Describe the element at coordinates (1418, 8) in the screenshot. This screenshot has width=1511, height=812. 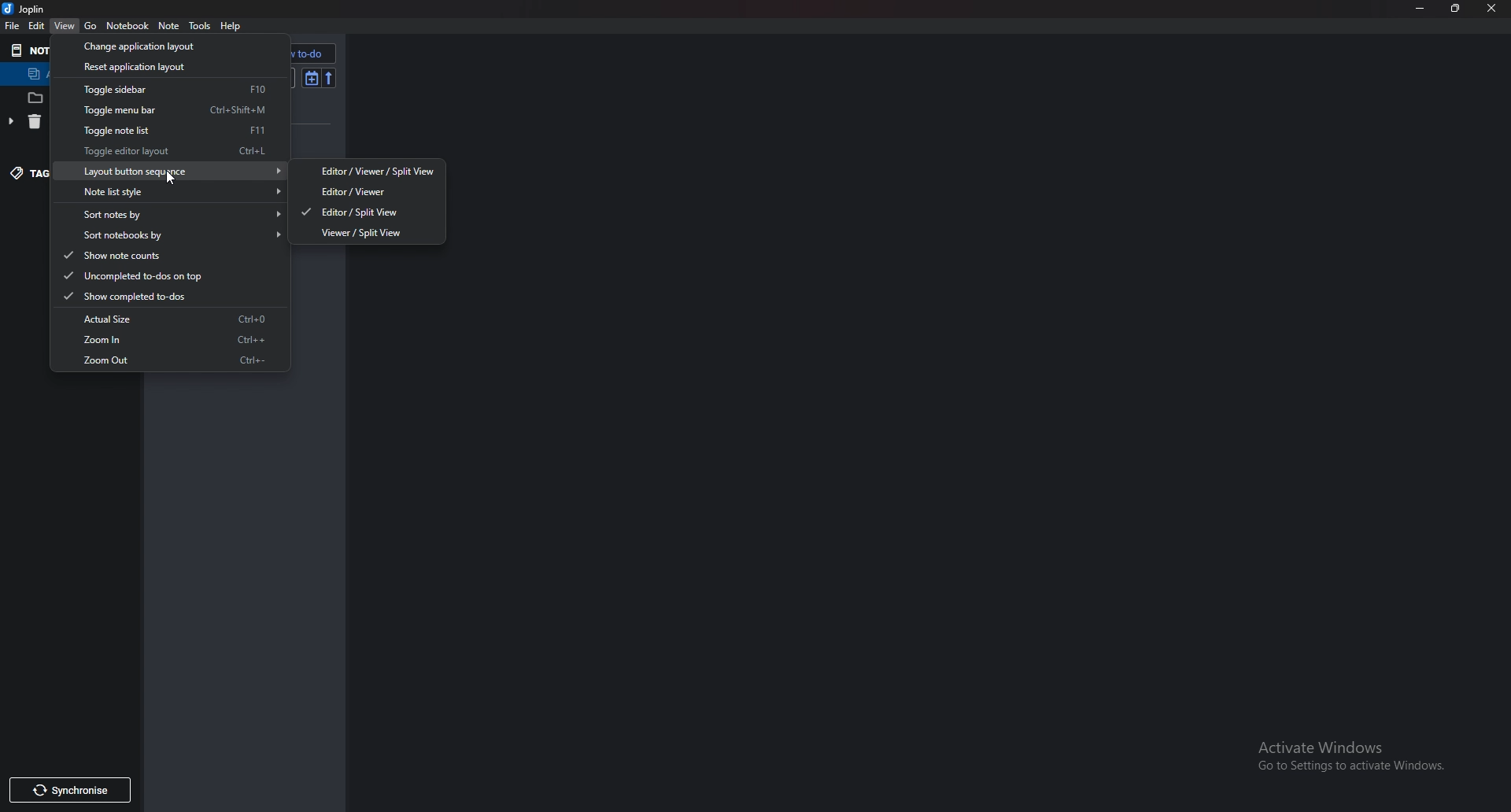
I see `Minimize` at that location.